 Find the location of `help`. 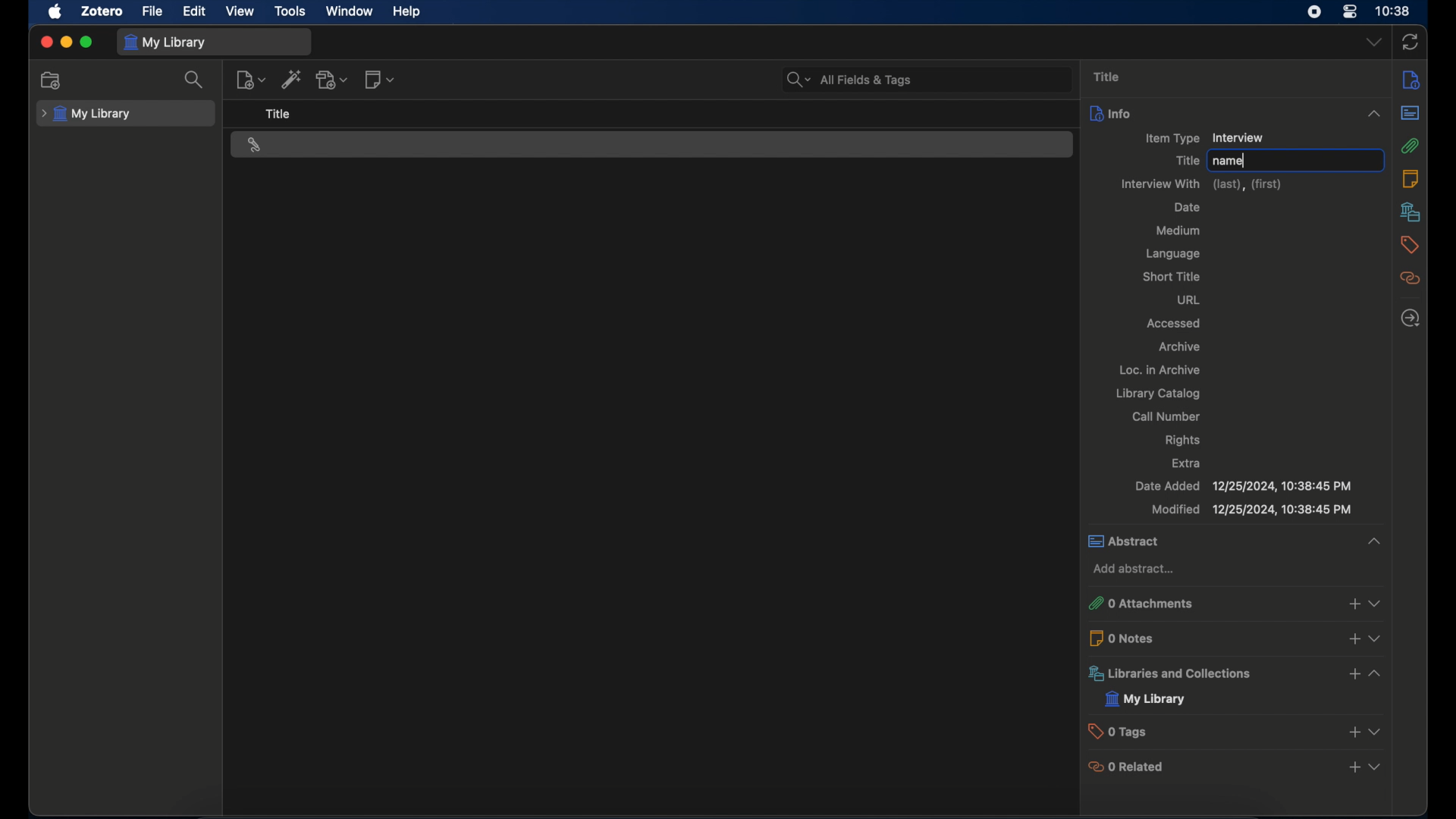

help is located at coordinates (408, 12).